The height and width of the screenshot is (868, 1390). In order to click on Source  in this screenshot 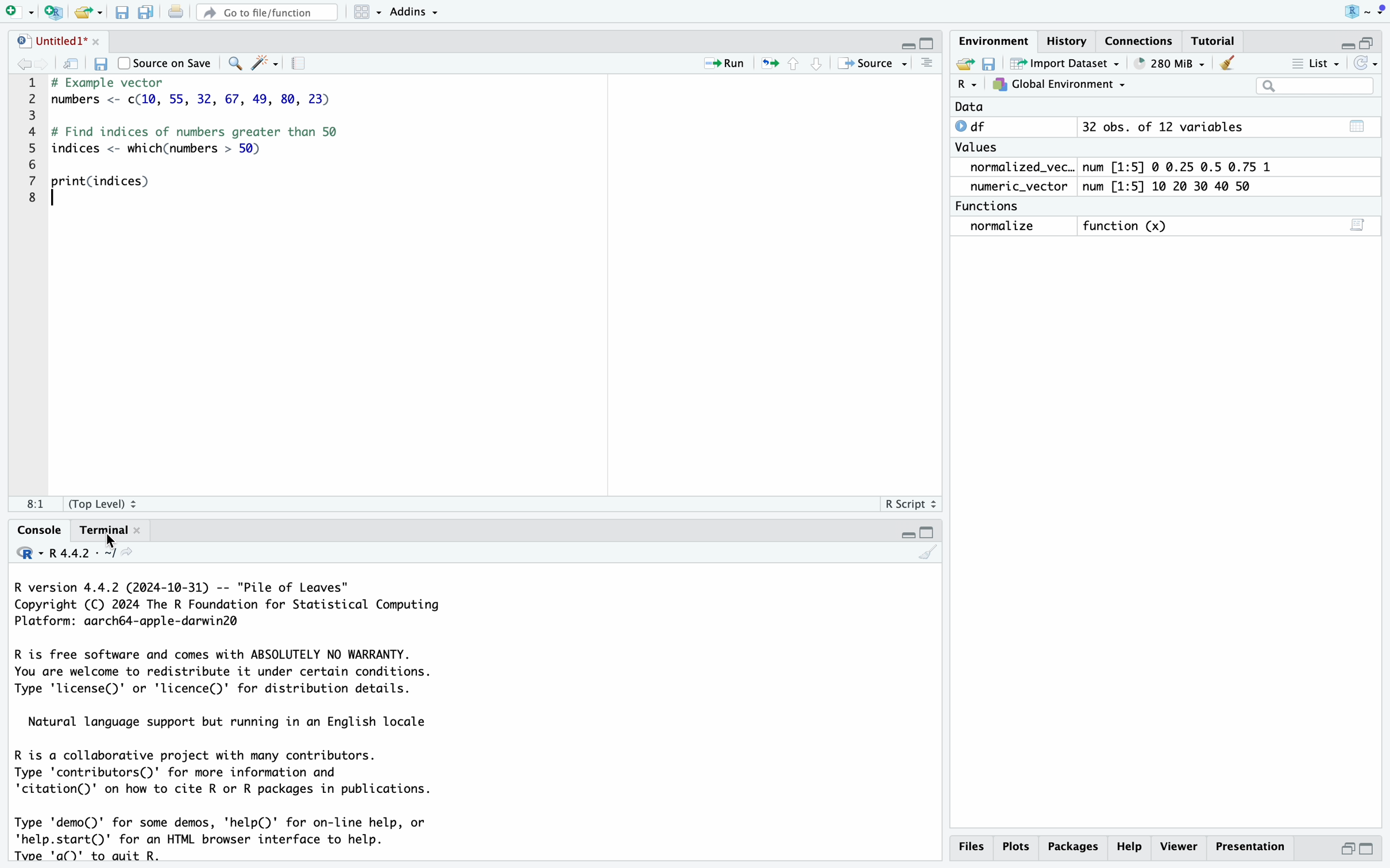, I will do `click(875, 63)`.